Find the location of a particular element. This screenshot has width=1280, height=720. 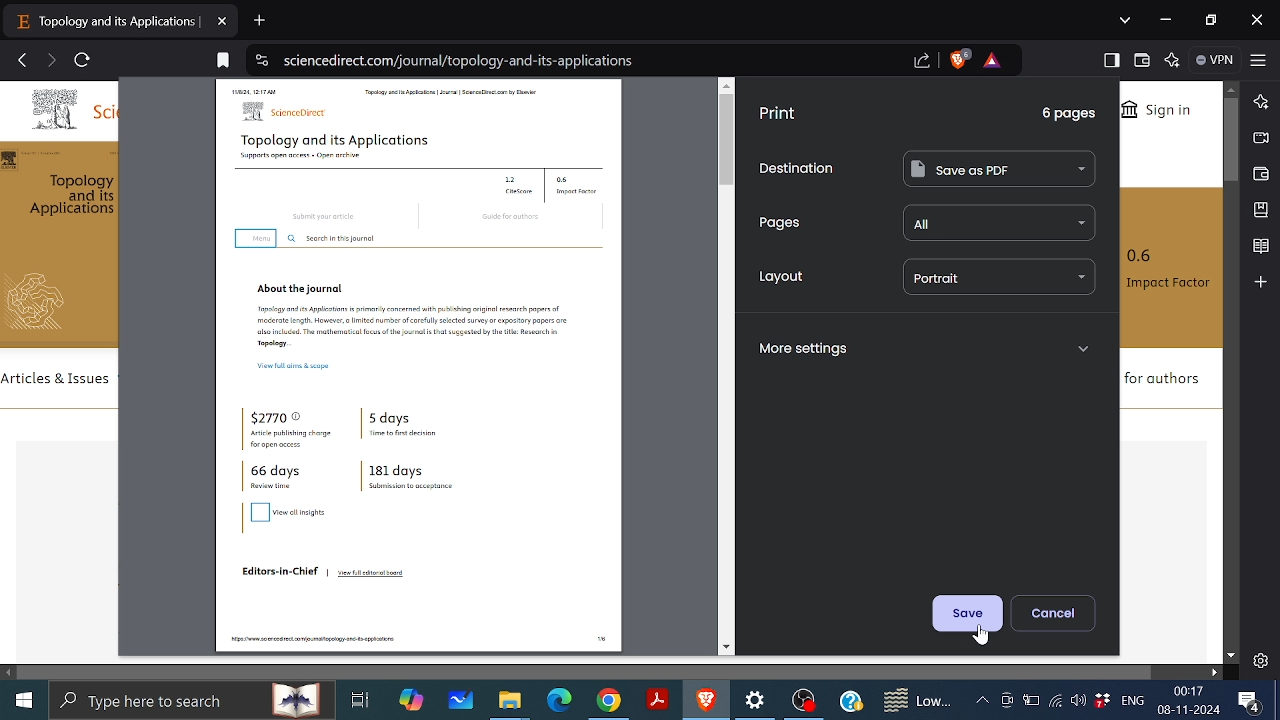

Add to sidebar is located at coordinates (1262, 283).